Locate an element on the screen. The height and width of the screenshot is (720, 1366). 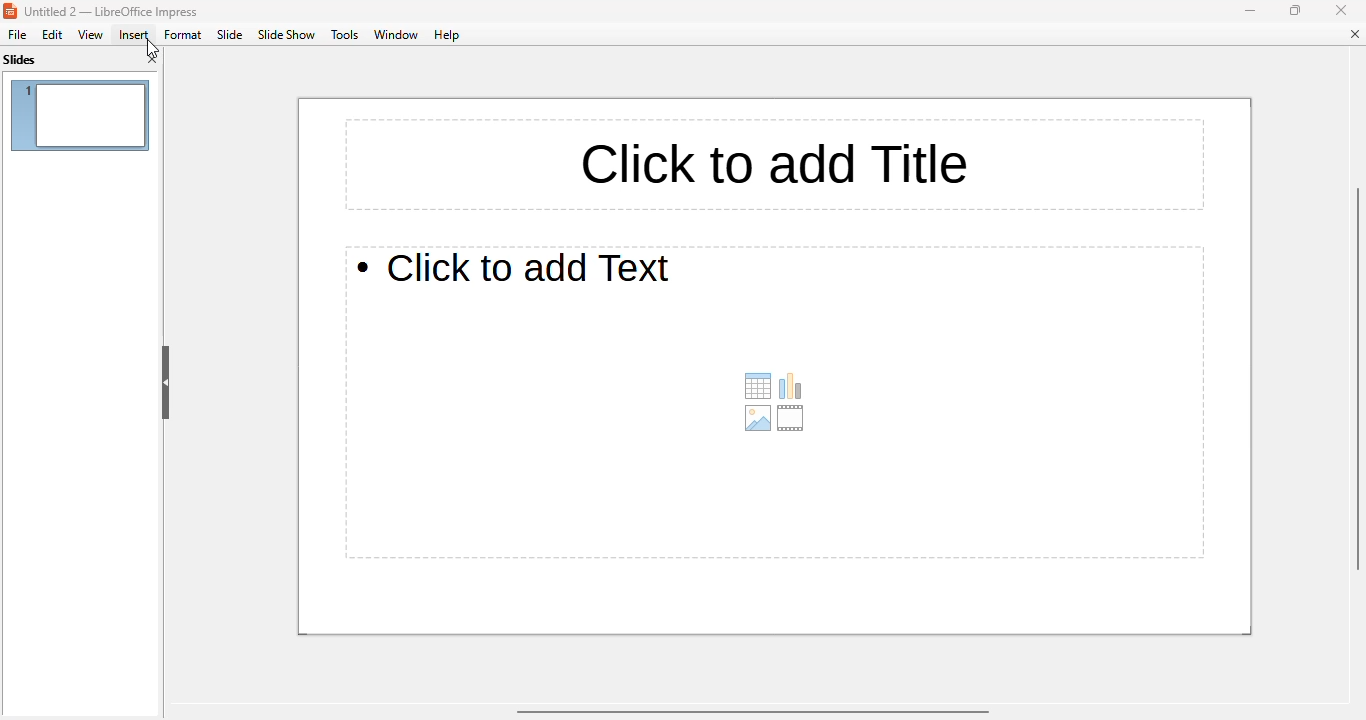
insert is located at coordinates (133, 35).